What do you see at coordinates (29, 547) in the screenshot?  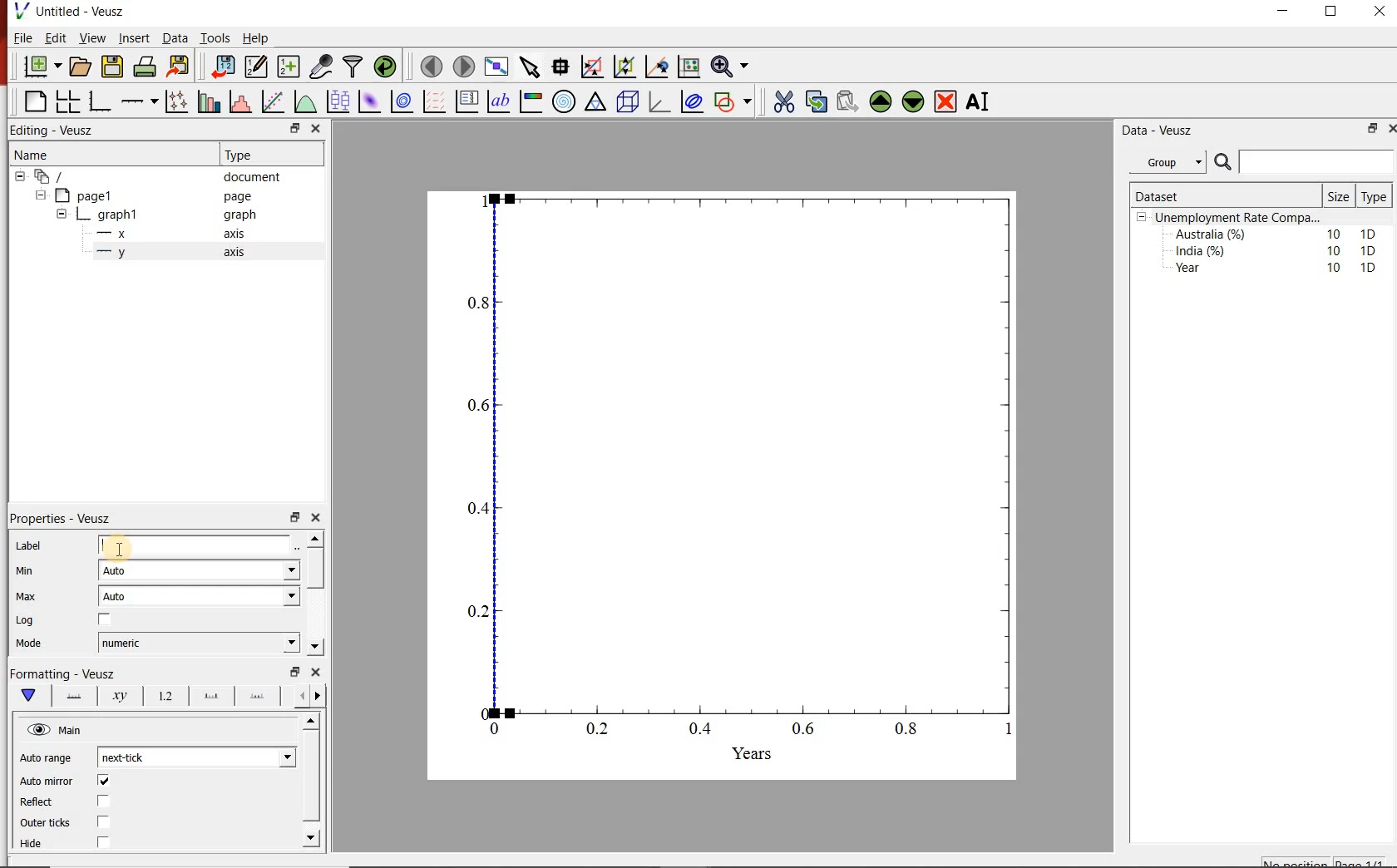 I see `Label` at bounding box center [29, 547].